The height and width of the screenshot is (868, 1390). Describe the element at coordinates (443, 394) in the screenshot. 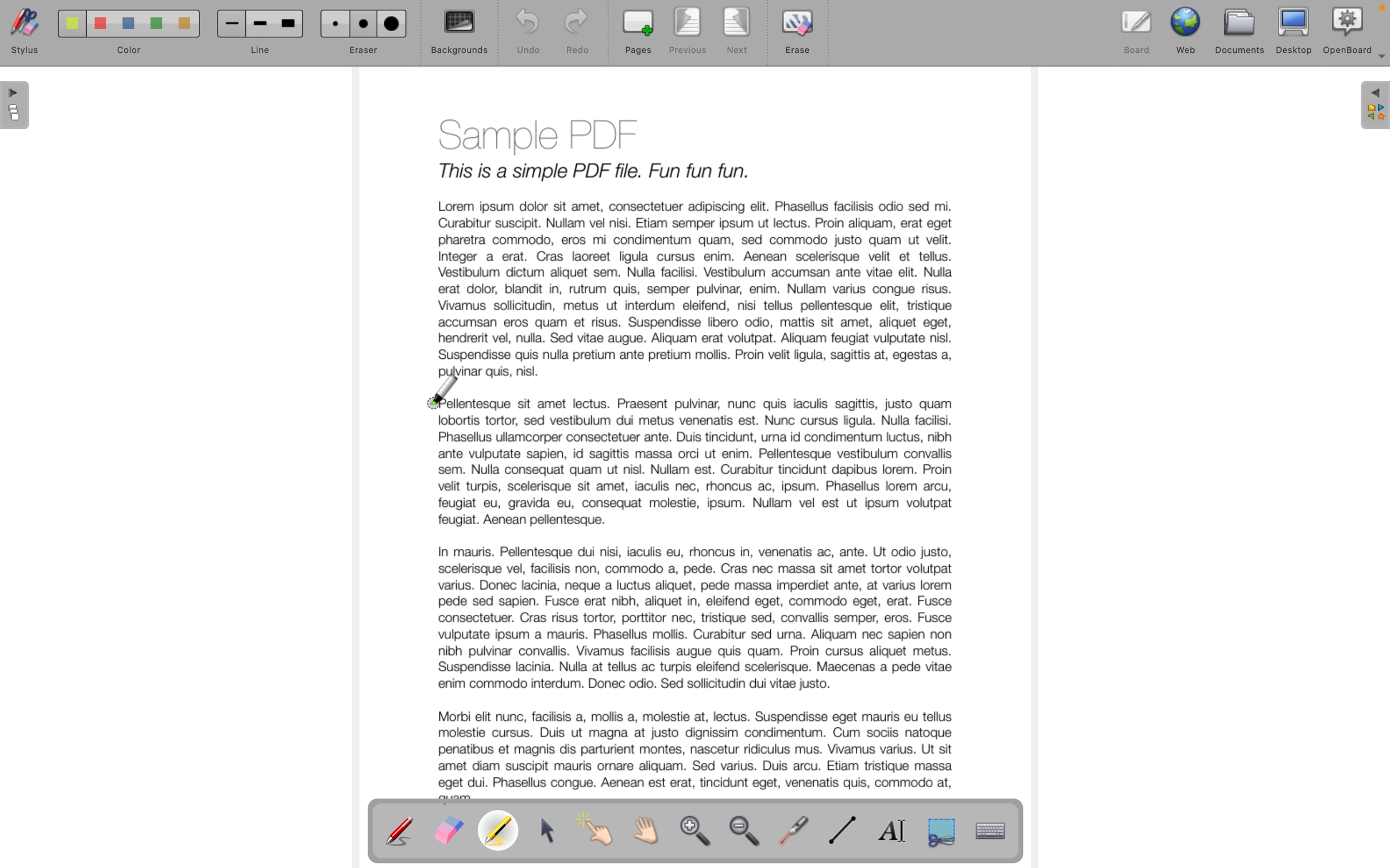

I see `highlighting cursor` at that location.